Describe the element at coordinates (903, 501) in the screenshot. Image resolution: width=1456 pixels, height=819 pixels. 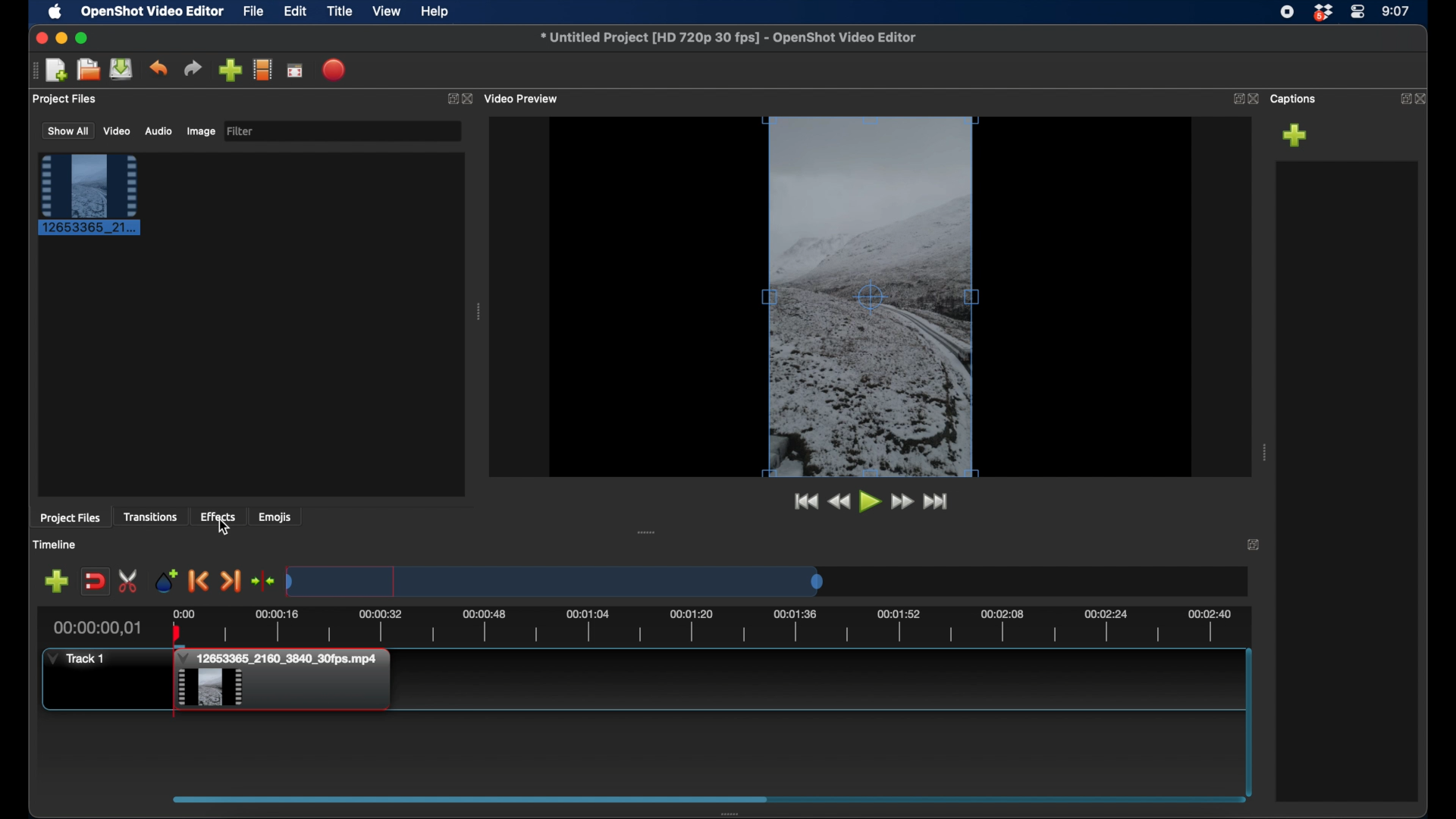
I see `fast forward` at that location.